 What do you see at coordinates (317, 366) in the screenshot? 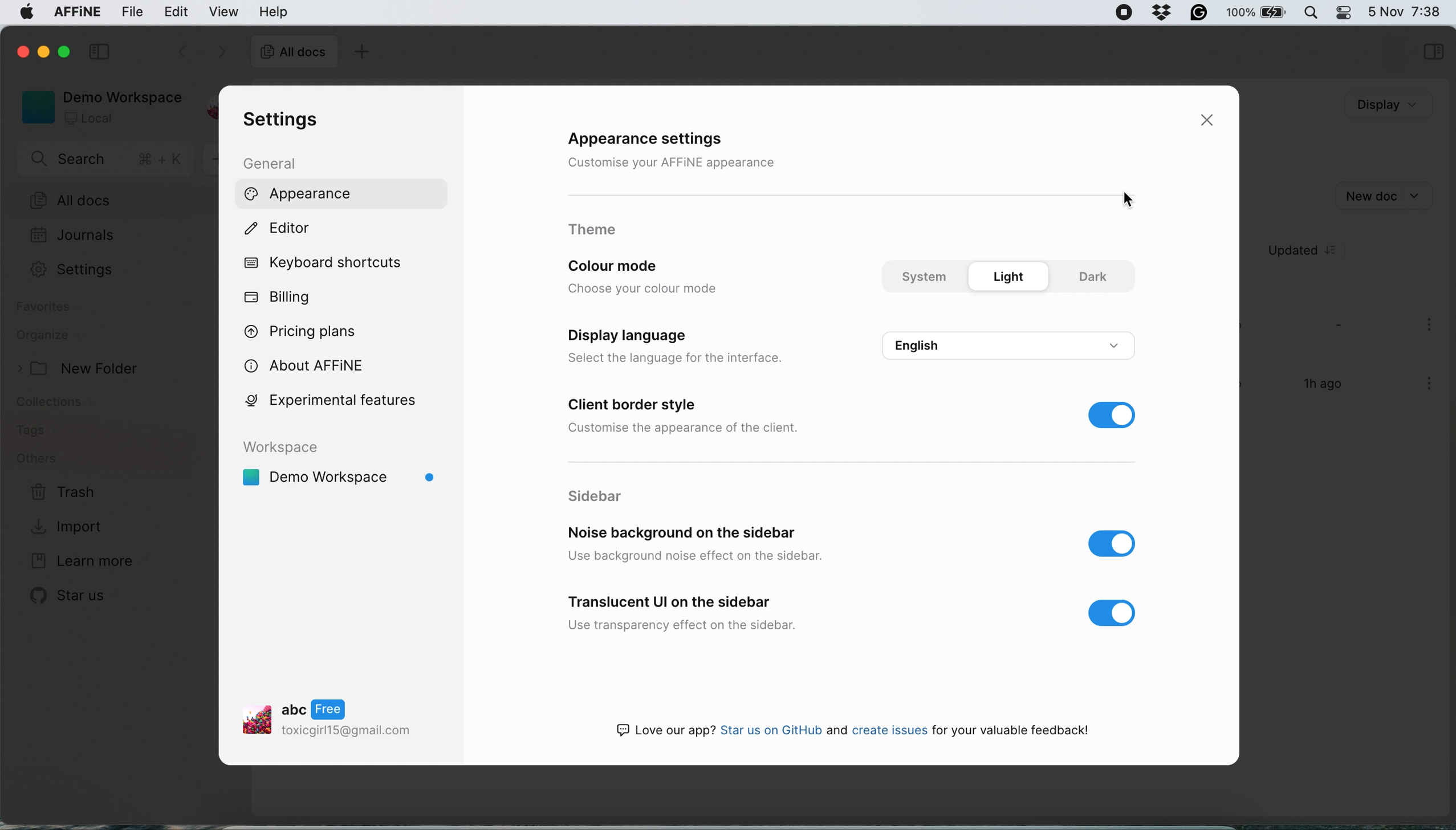
I see `about affine` at bounding box center [317, 366].